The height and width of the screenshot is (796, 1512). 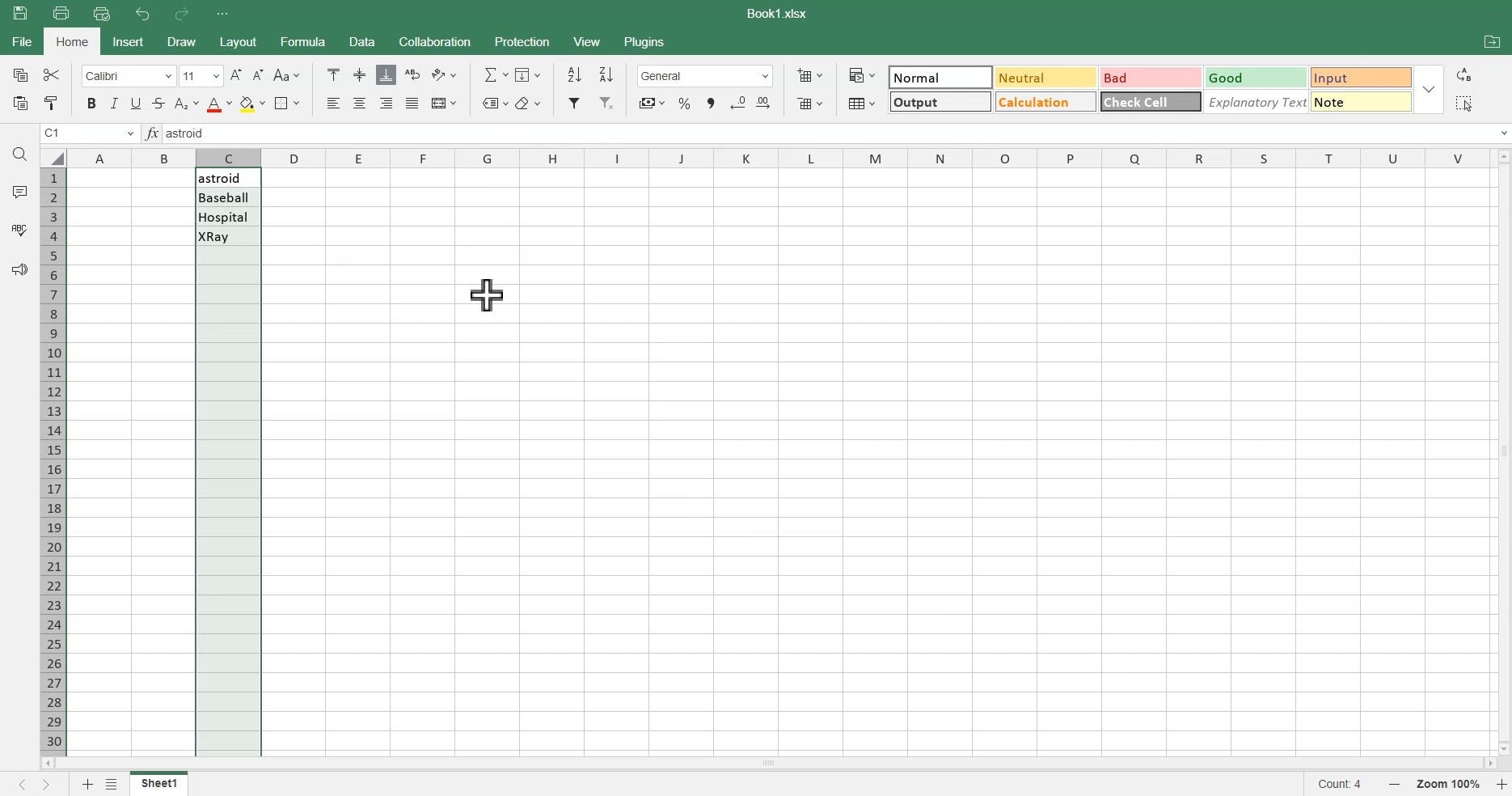 What do you see at coordinates (1399, 785) in the screenshot?
I see `zoom out` at bounding box center [1399, 785].